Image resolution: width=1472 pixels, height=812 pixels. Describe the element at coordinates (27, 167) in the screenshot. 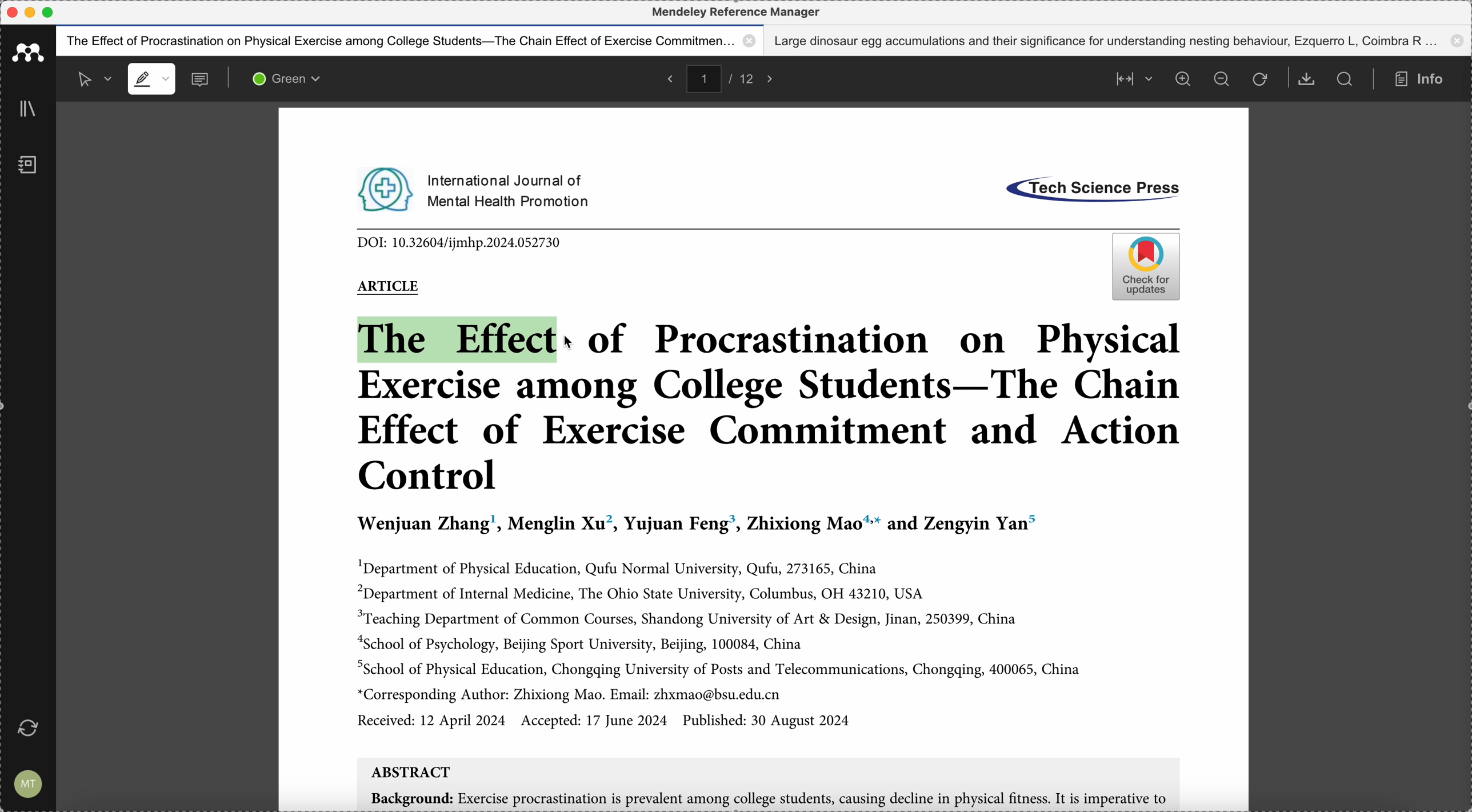

I see `notebook` at that location.